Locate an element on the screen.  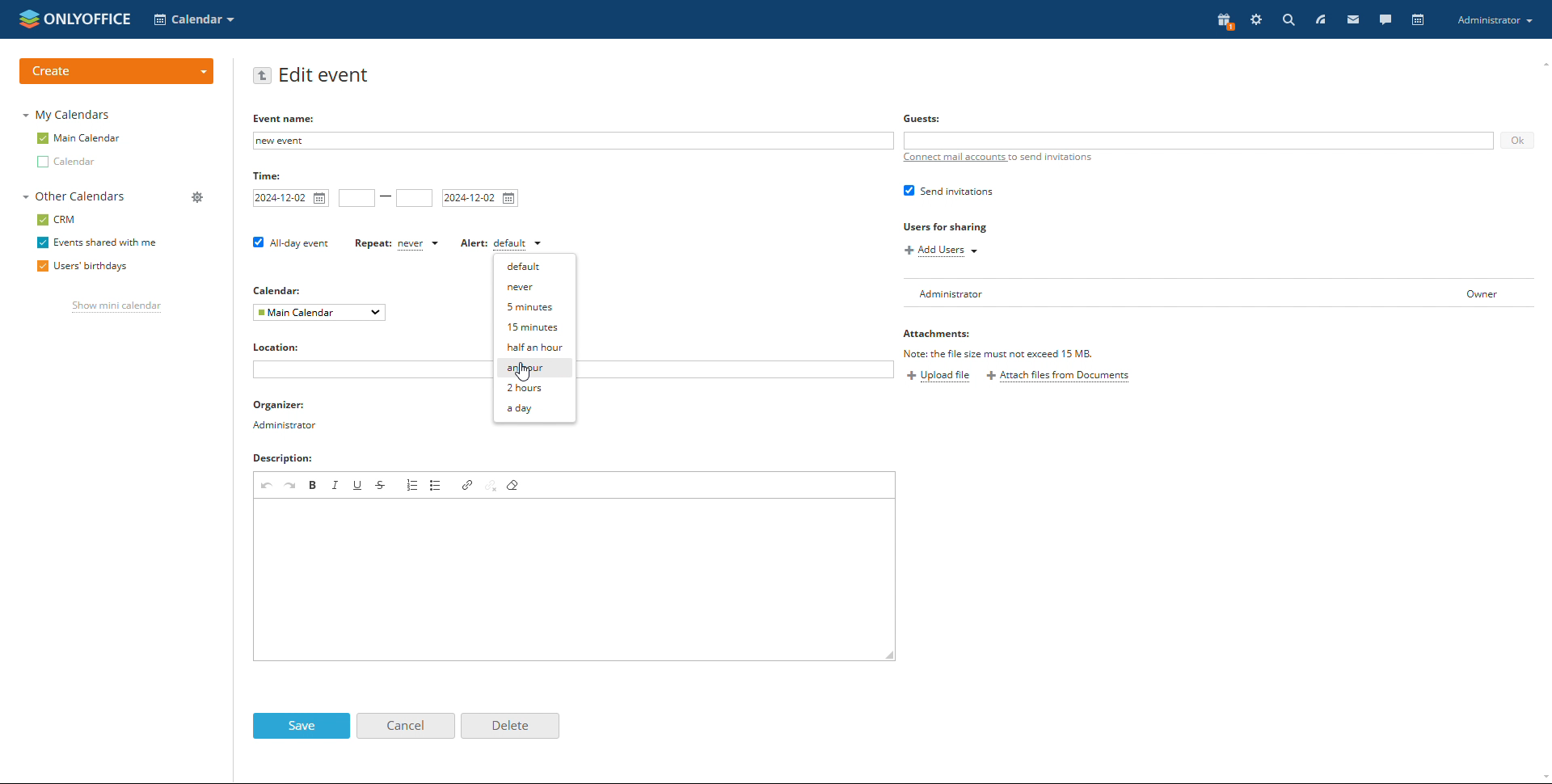
descriptions is located at coordinates (290, 461).